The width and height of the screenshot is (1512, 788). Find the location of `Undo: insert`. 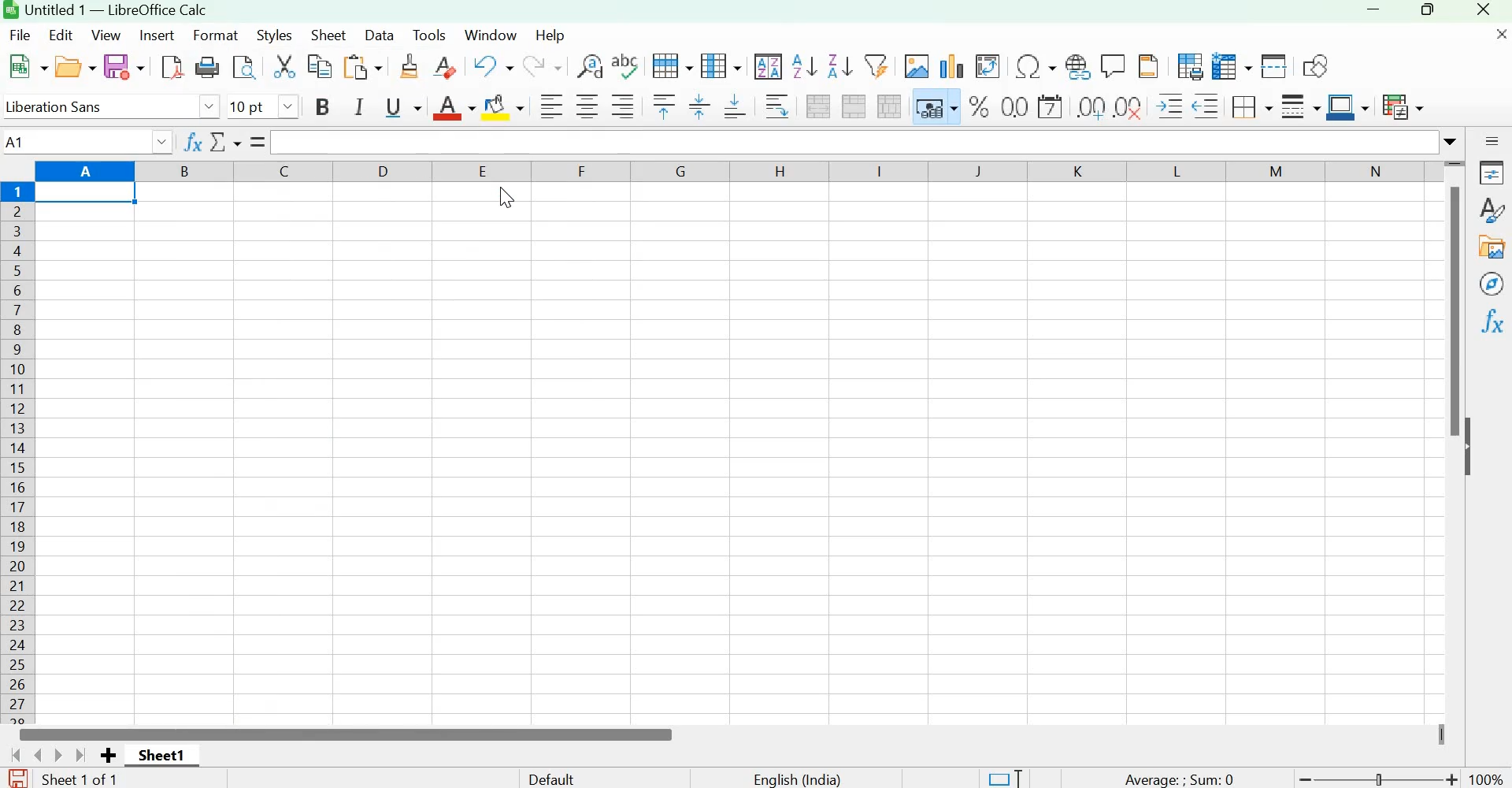

Undo: insert is located at coordinates (490, 66).